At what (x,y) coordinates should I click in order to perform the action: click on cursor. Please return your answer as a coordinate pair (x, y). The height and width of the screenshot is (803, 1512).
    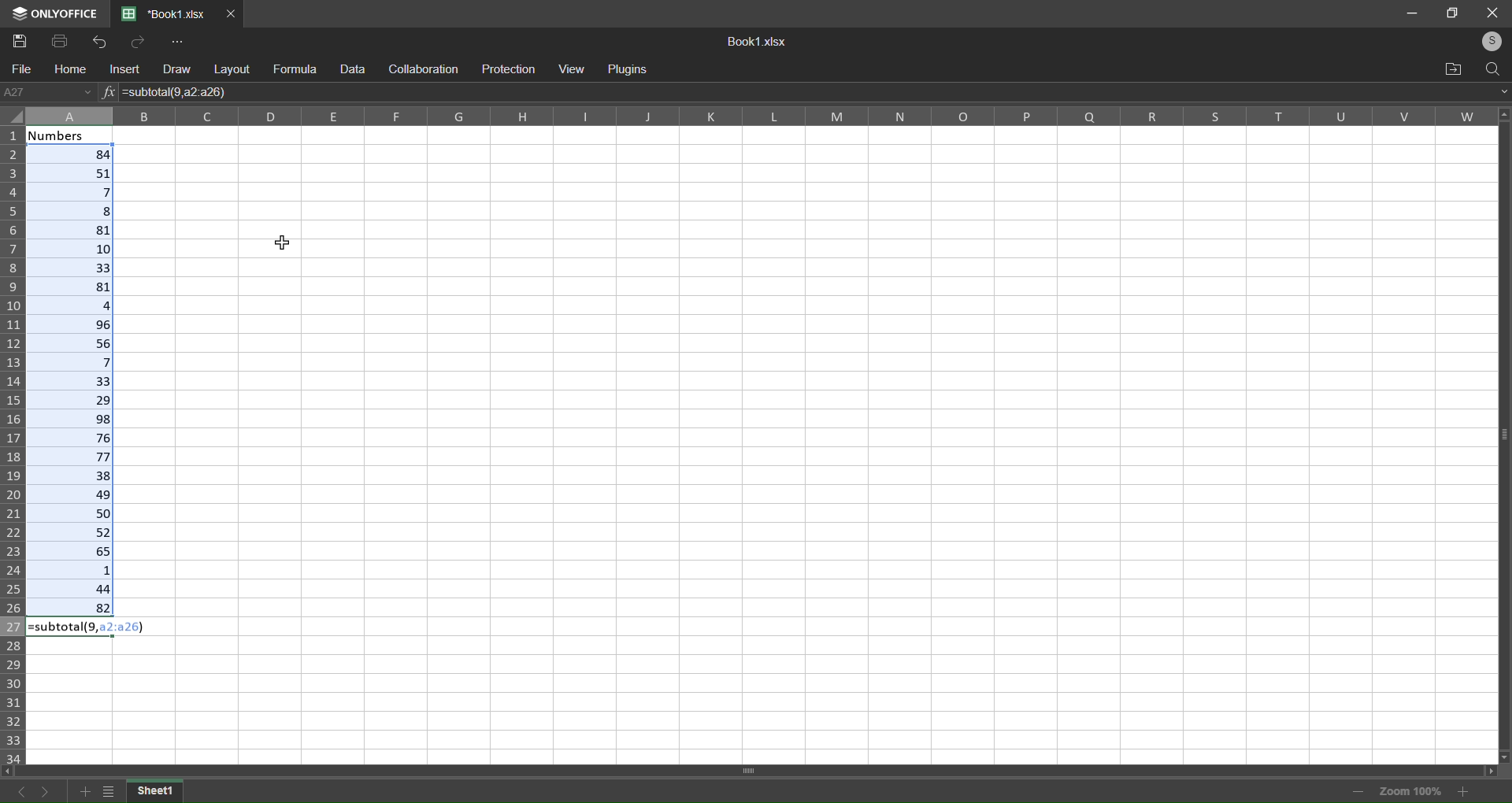
    Looking at the image, I should click on (282, 242).